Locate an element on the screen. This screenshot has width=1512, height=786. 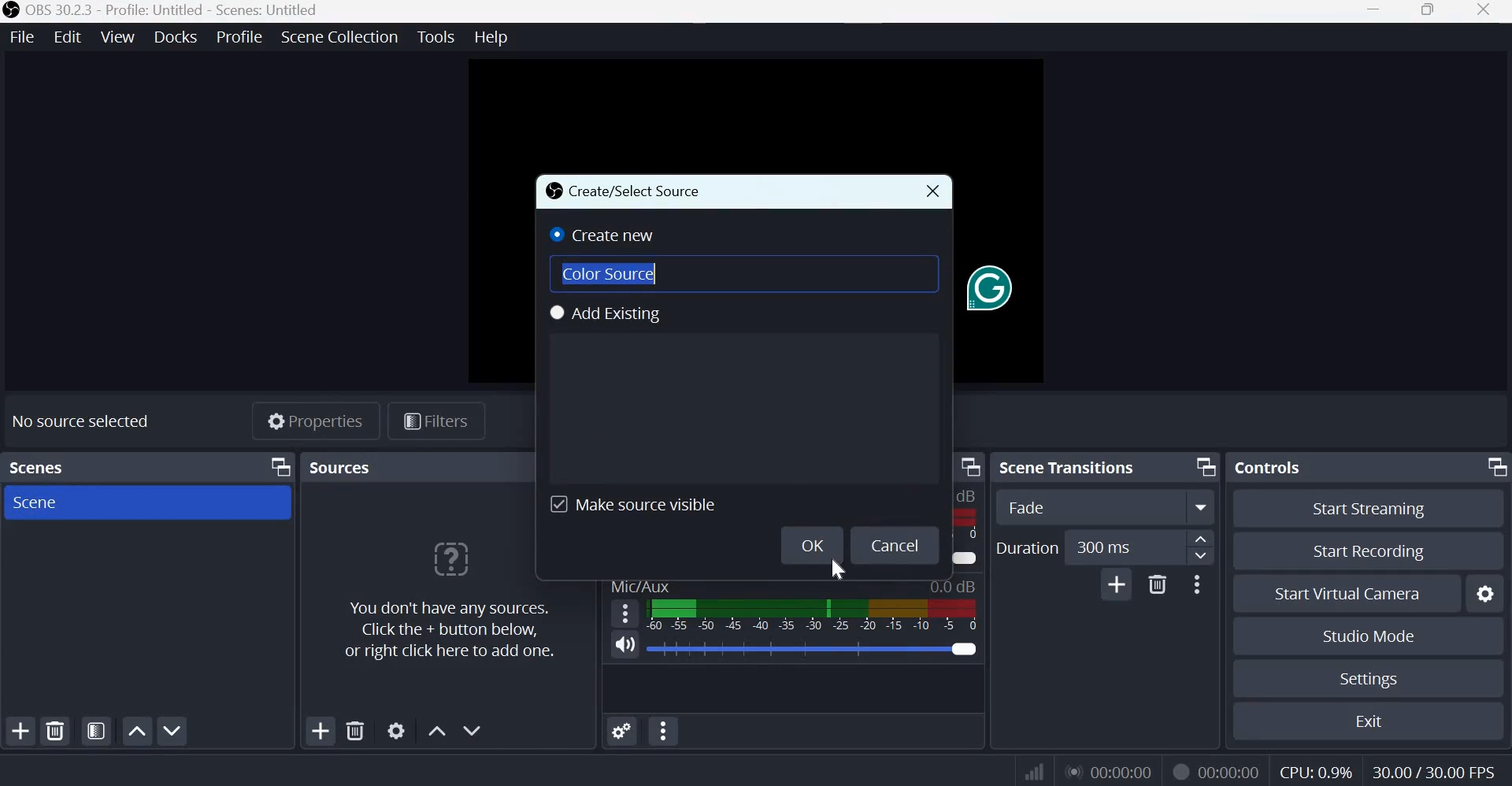
Docks is located at coordinates (176, 36).